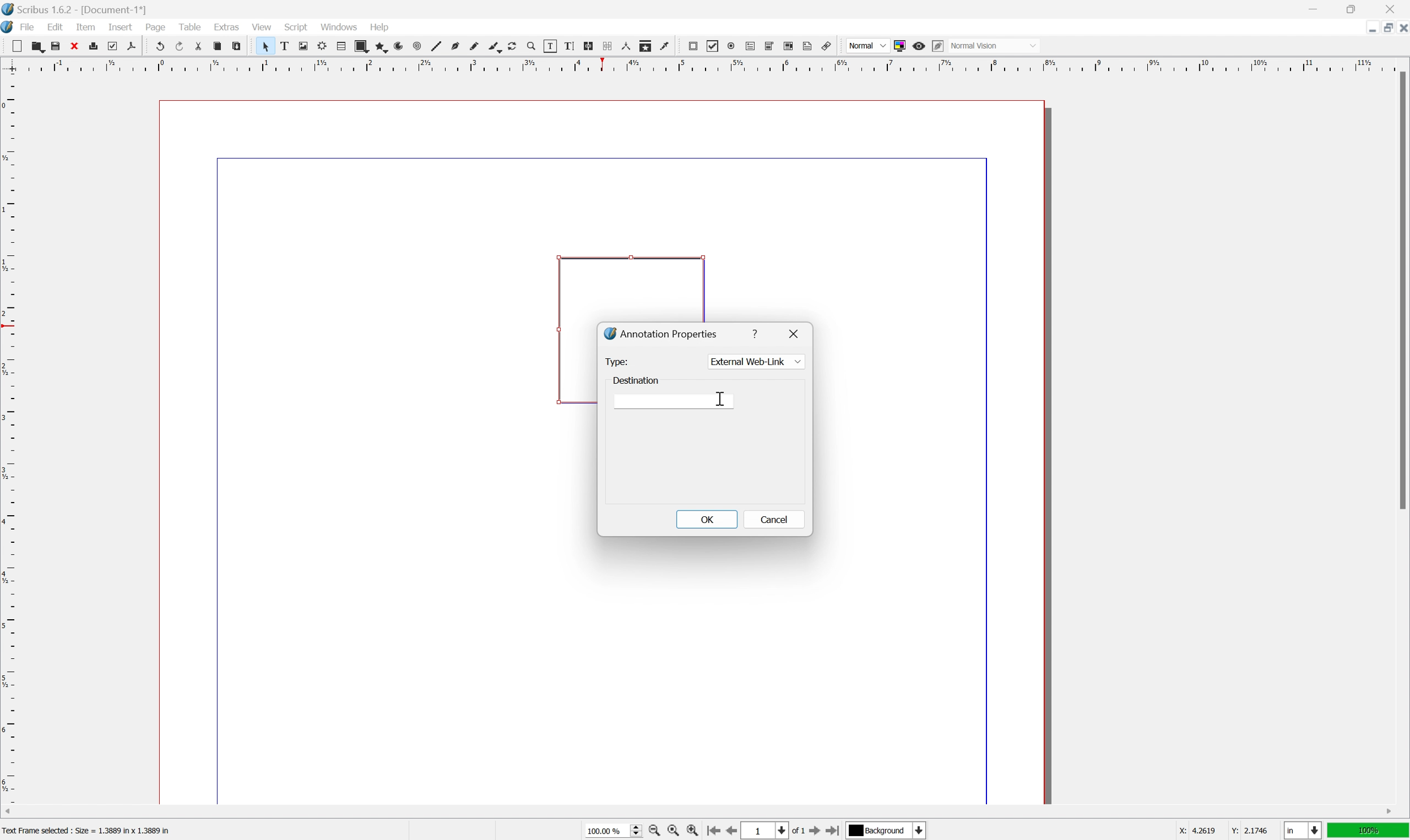 Image resolution: width=1410 pixels, height=840 pixels. What do you see at coordinates (867, 44) in the screenshot?
I see `normal` at bounding box center [867, 44].